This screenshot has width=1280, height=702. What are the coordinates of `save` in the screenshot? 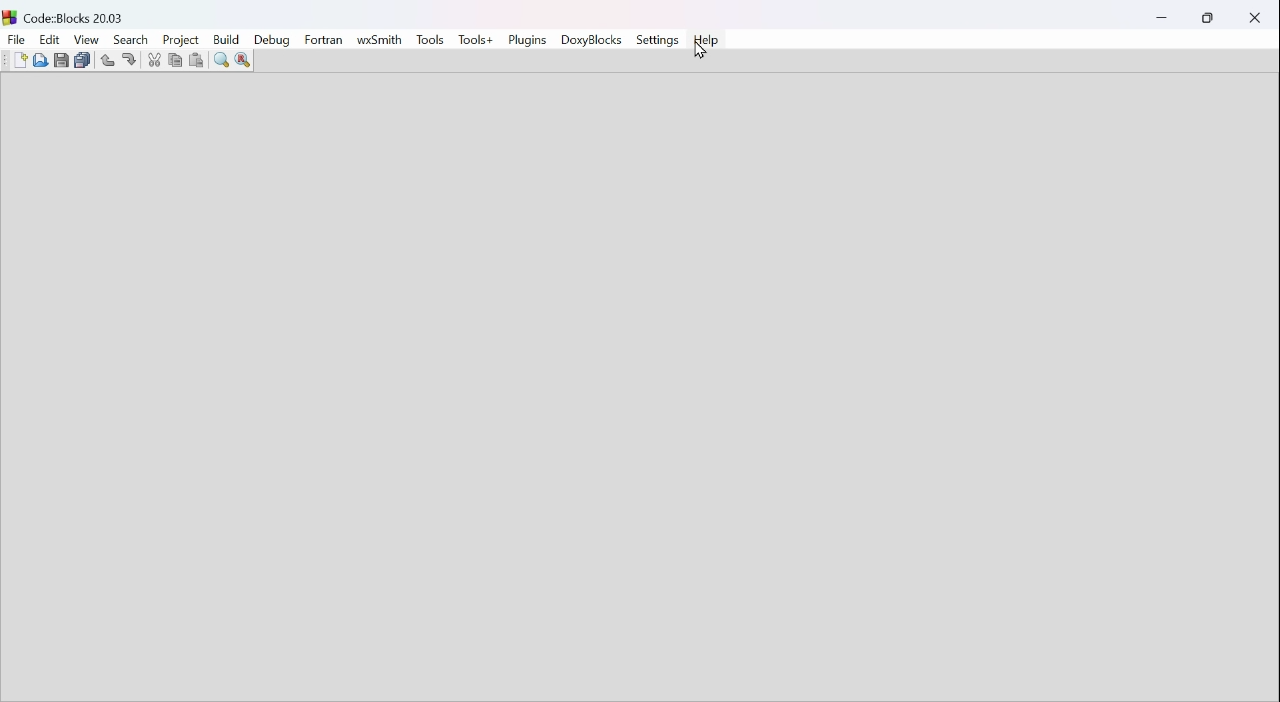 It's located at (58, 59).